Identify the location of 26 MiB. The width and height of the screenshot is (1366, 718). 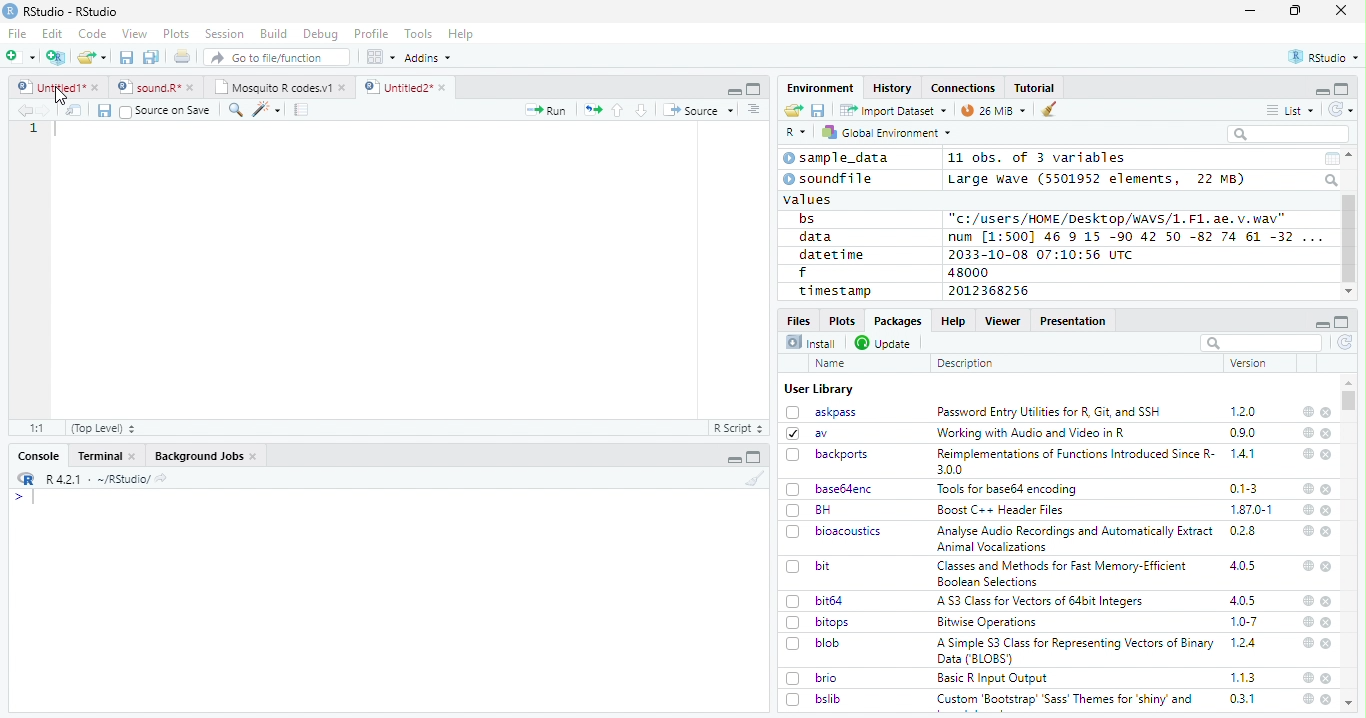
(994, 110).